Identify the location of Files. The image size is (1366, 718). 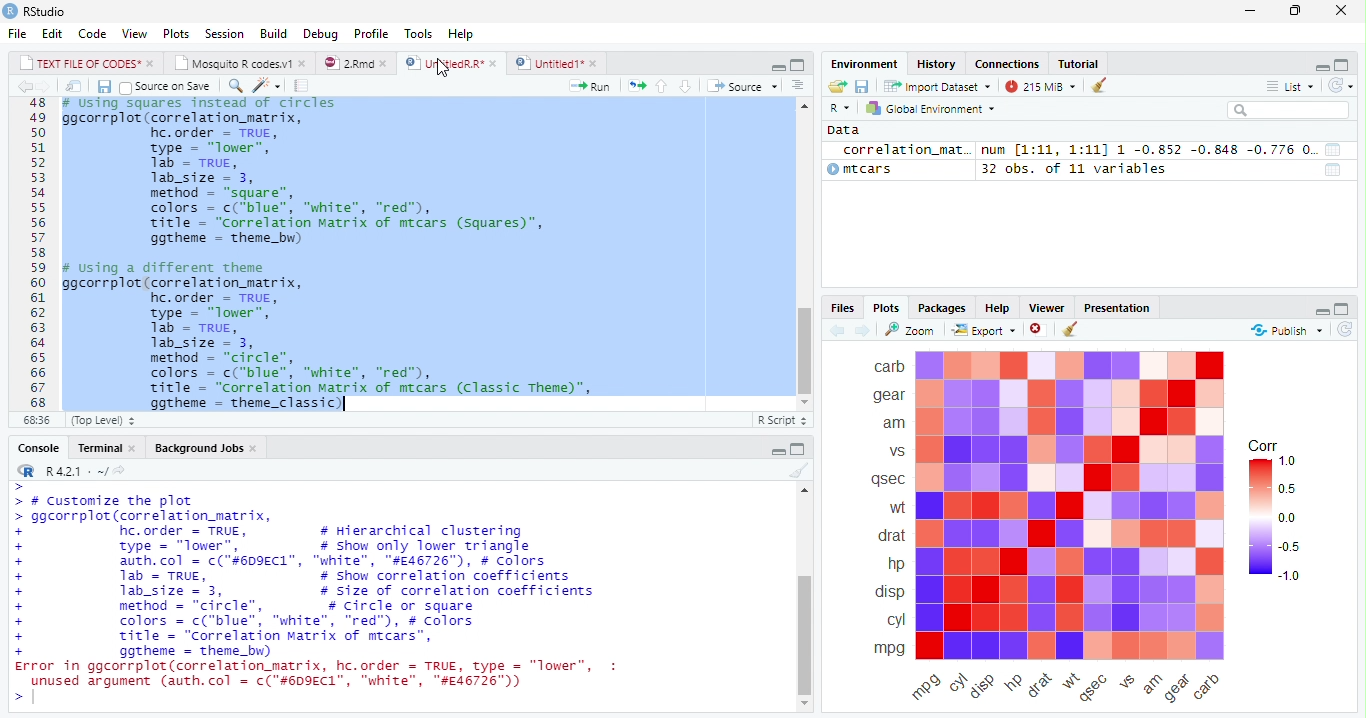
(842, 307).